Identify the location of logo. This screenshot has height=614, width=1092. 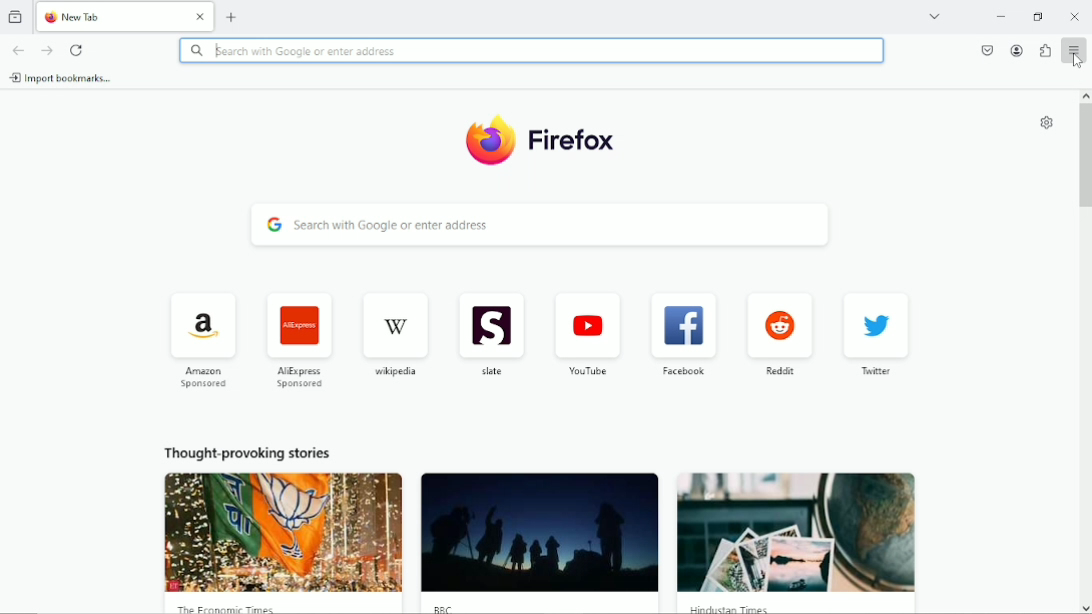
(486, 143).